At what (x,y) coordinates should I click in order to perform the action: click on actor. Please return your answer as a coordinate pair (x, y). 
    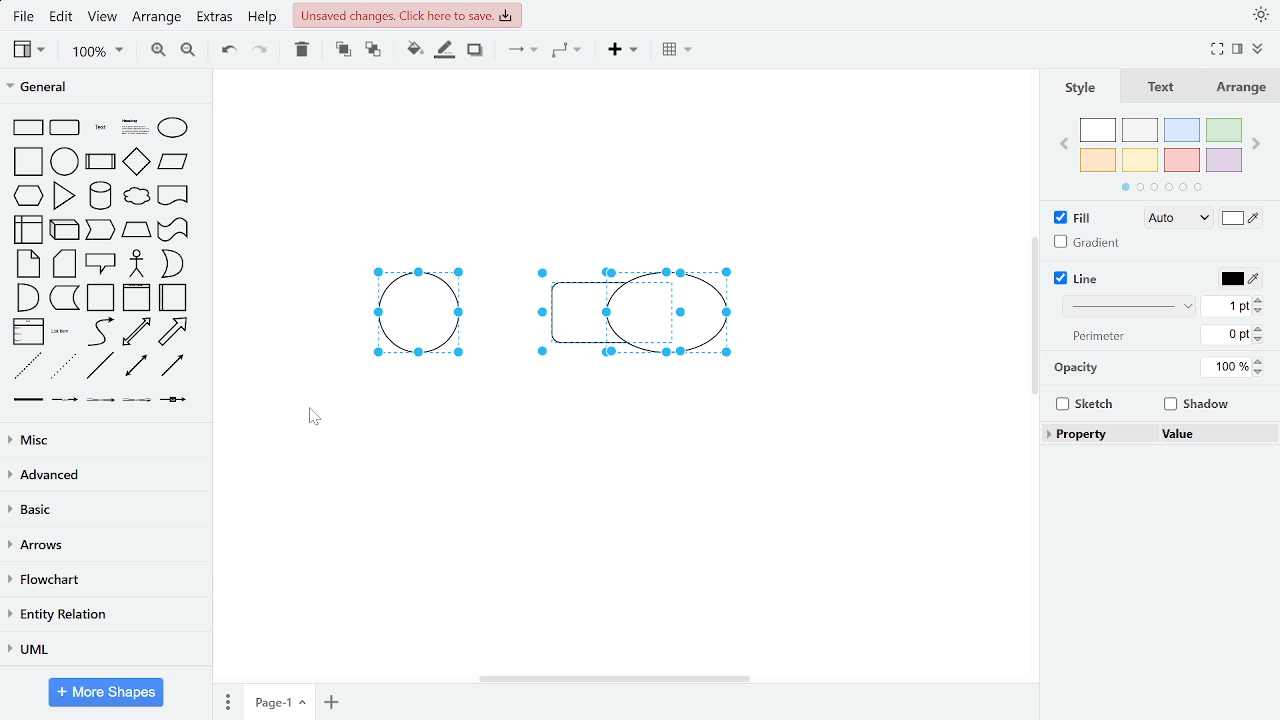
    Looking at the image, I should click on (137, 264).